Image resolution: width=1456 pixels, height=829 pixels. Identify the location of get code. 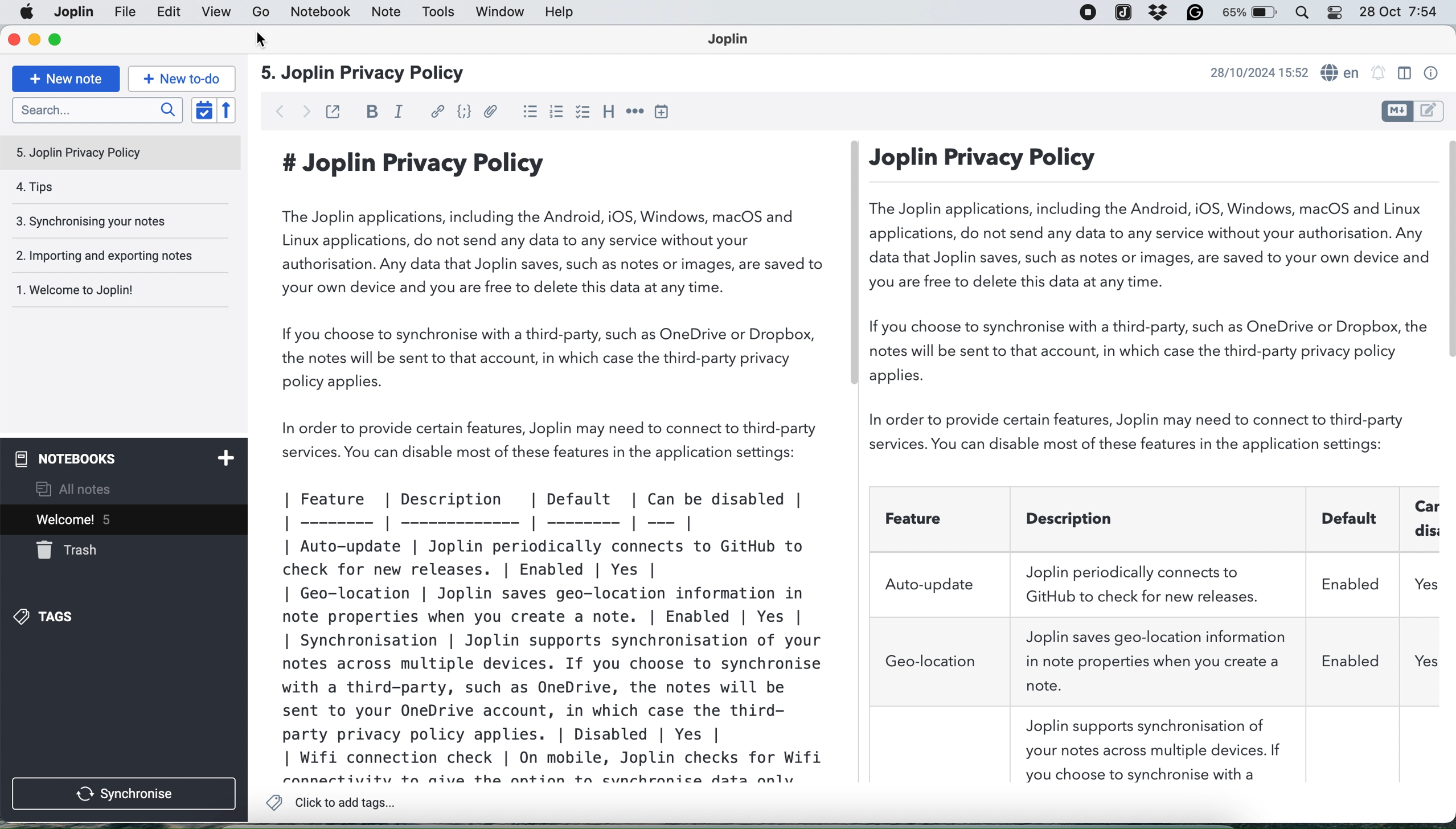
(461, 111).